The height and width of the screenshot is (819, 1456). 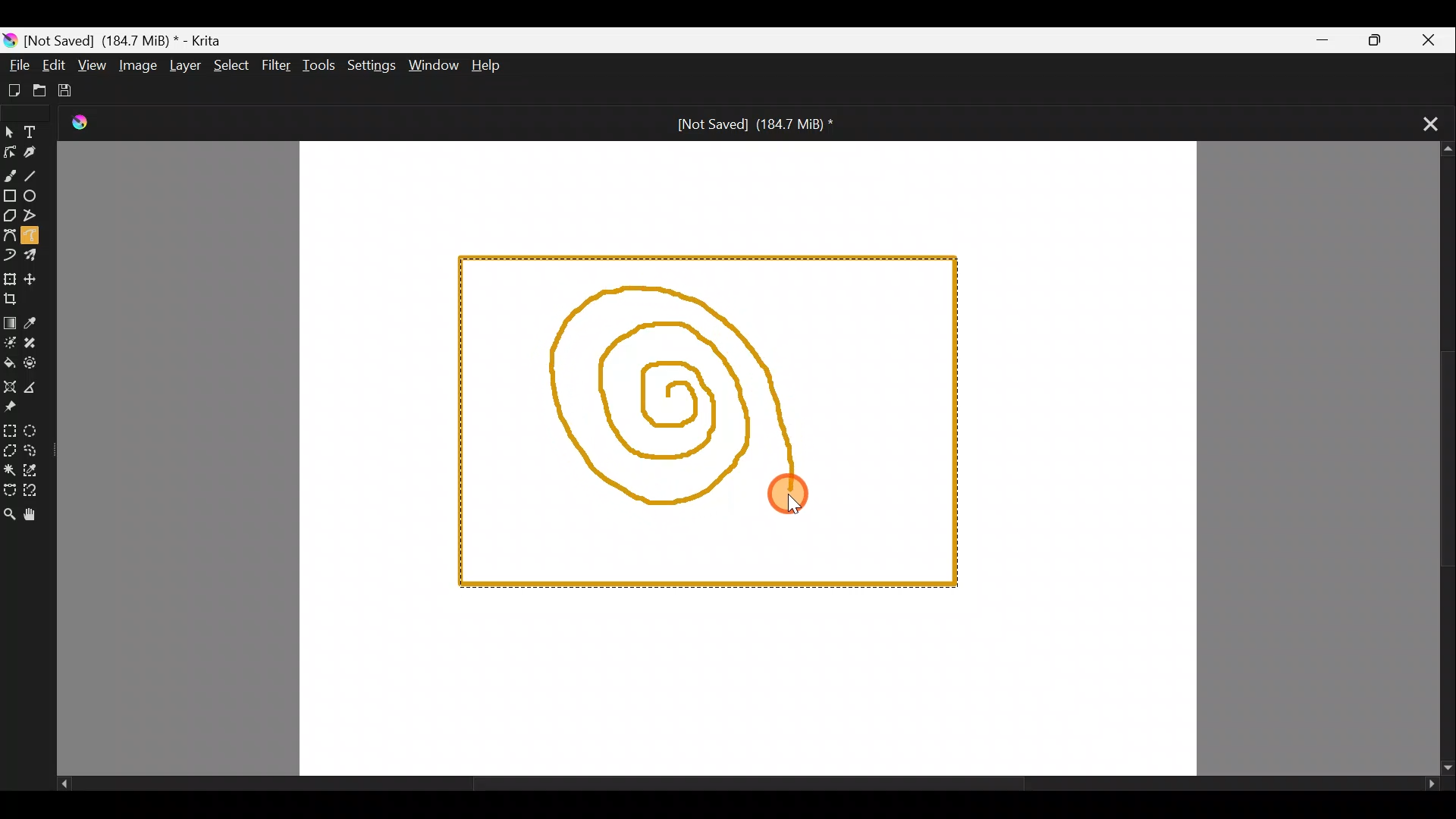 What do you see at coordinates (1321, 40) in the screenshot?
I see `Minimize` at bounding box center [1321, 40].